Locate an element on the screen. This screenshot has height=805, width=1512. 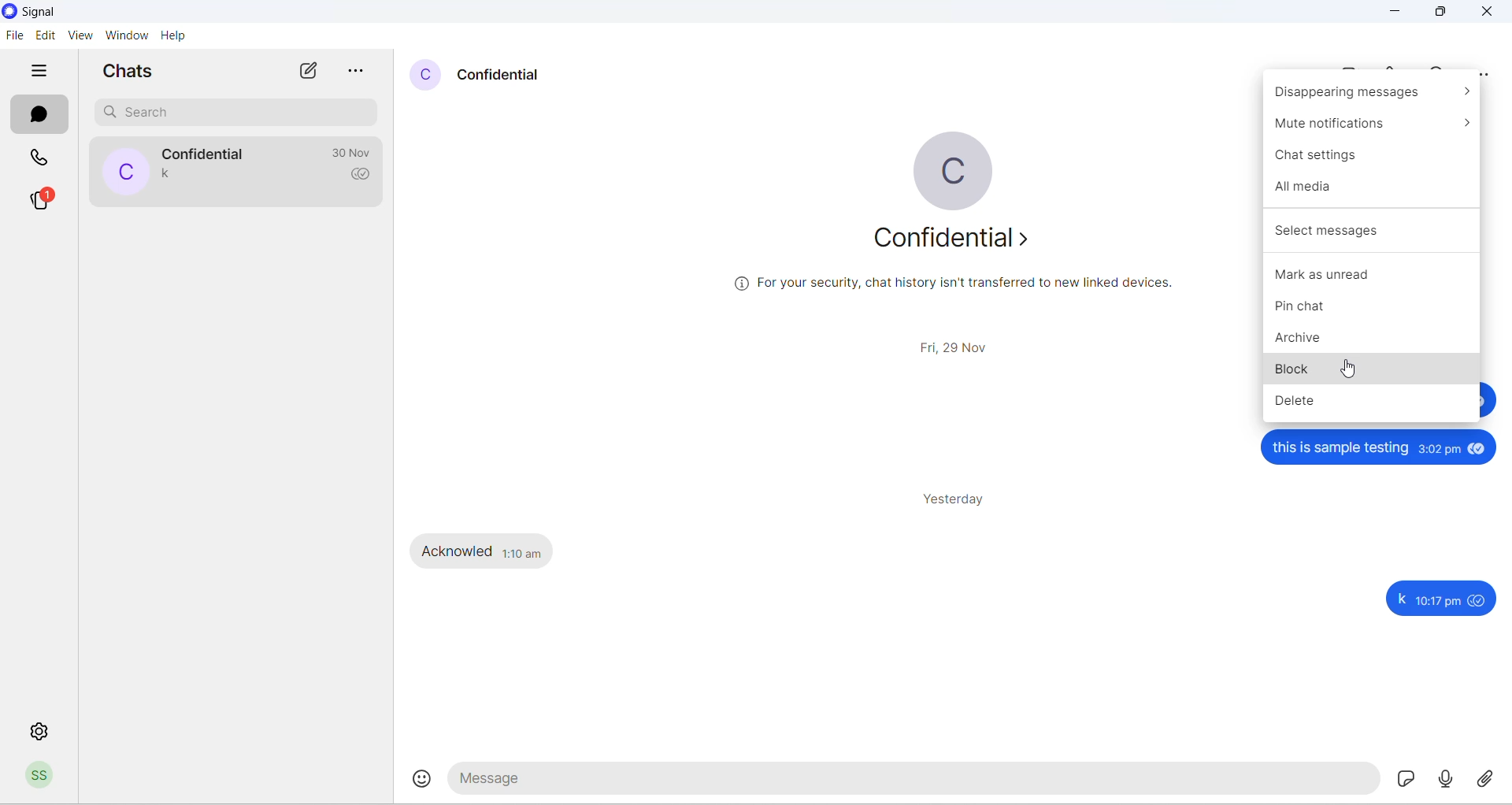
contact name is located at coordinates (205, 153).